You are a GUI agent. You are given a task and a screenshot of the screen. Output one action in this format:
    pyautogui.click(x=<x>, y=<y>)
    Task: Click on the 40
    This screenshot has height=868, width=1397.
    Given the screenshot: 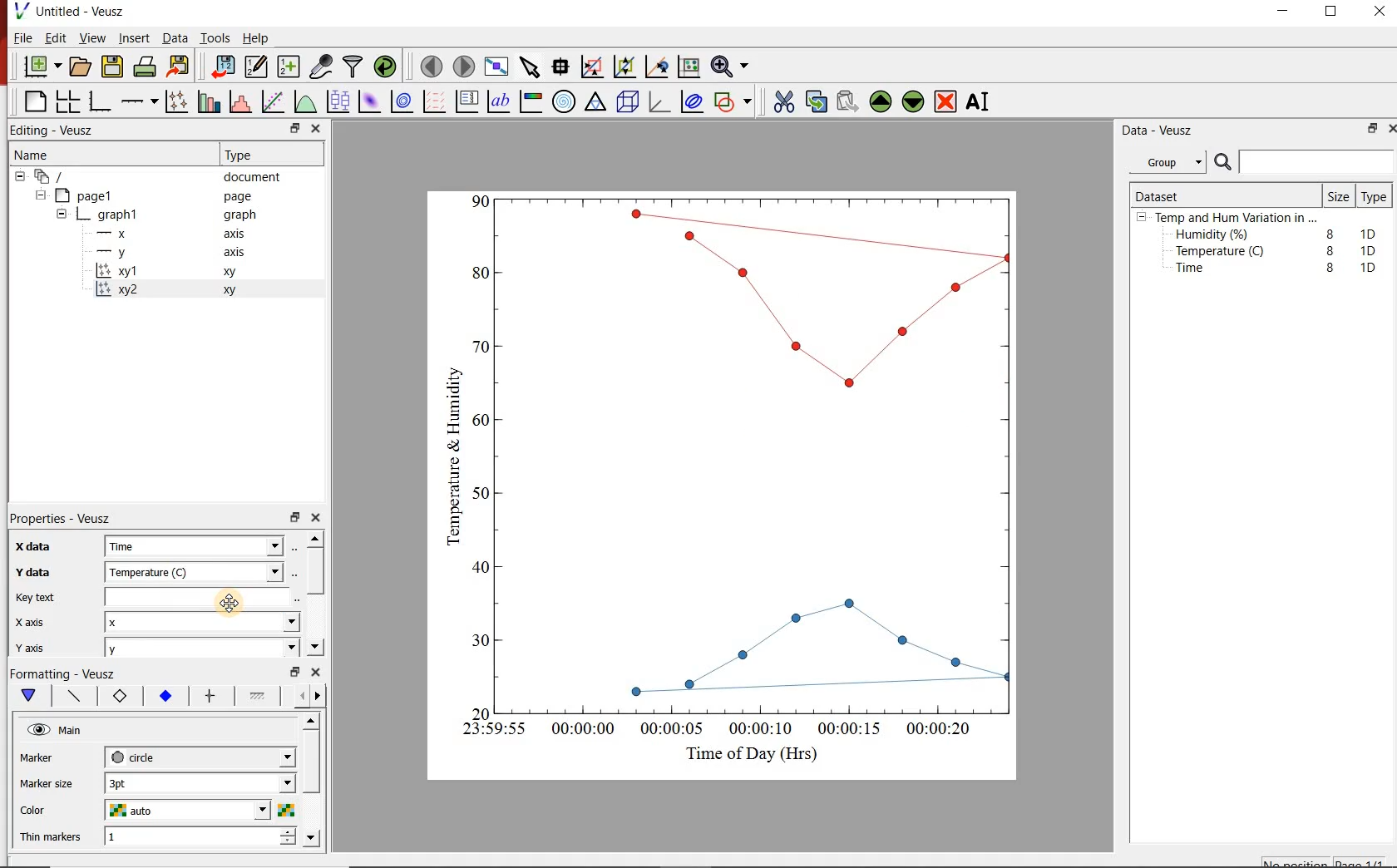 What is the action you would take?
    pyautogui.click(x=479, y=566)
    